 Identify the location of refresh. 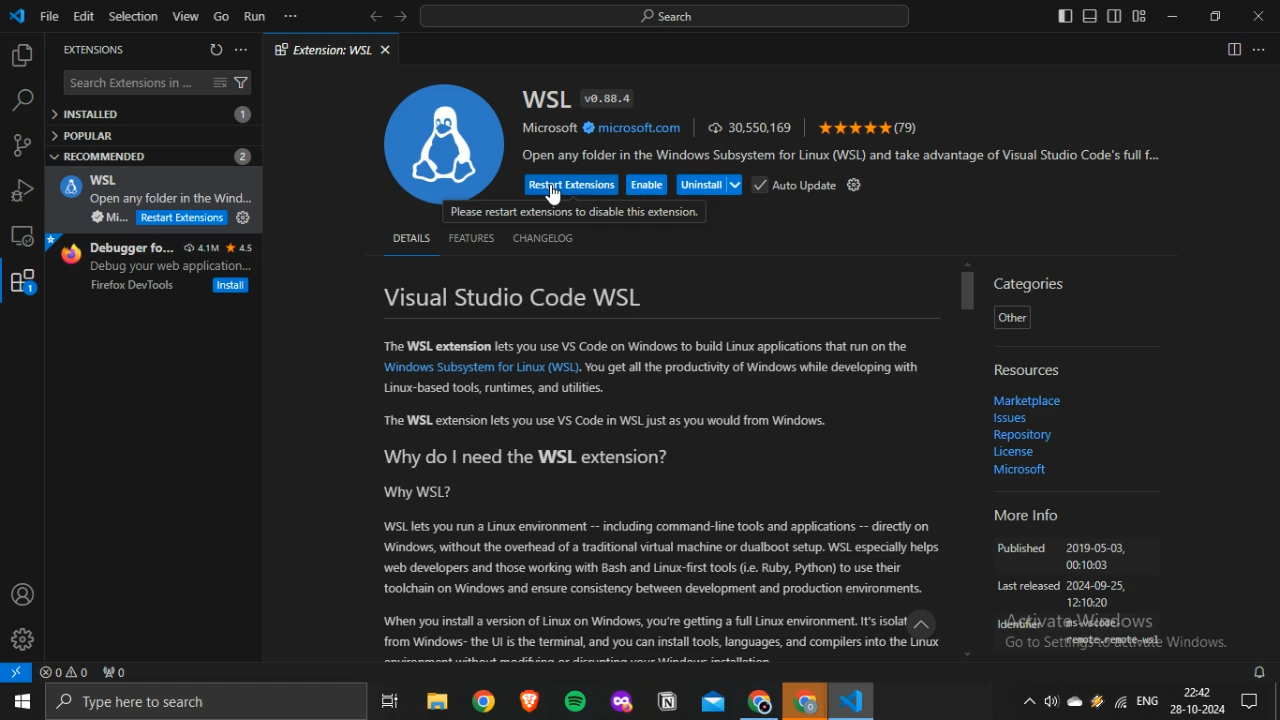
(216, 49).